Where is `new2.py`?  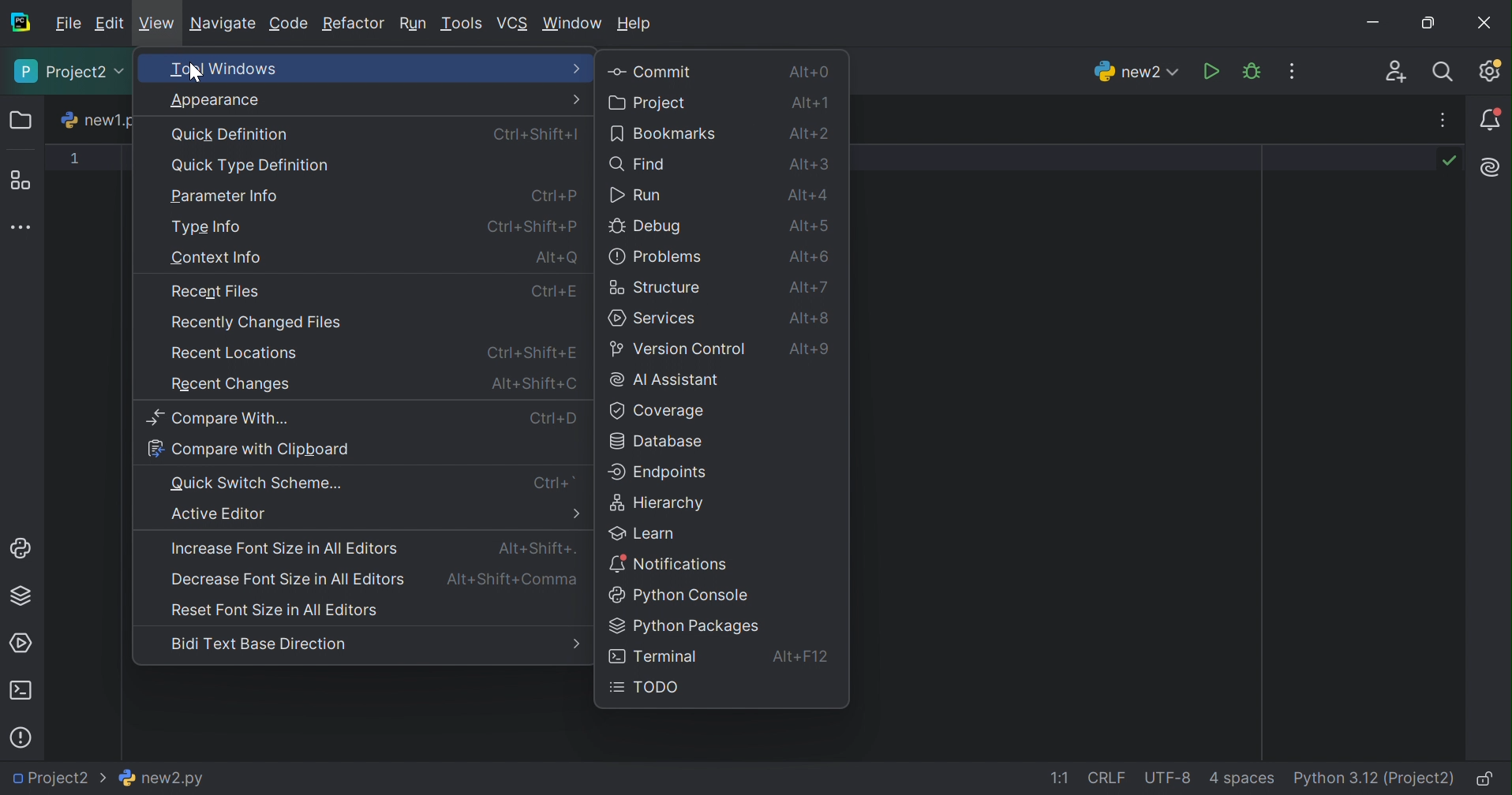 new2.py is located at coordinates (163, 775).